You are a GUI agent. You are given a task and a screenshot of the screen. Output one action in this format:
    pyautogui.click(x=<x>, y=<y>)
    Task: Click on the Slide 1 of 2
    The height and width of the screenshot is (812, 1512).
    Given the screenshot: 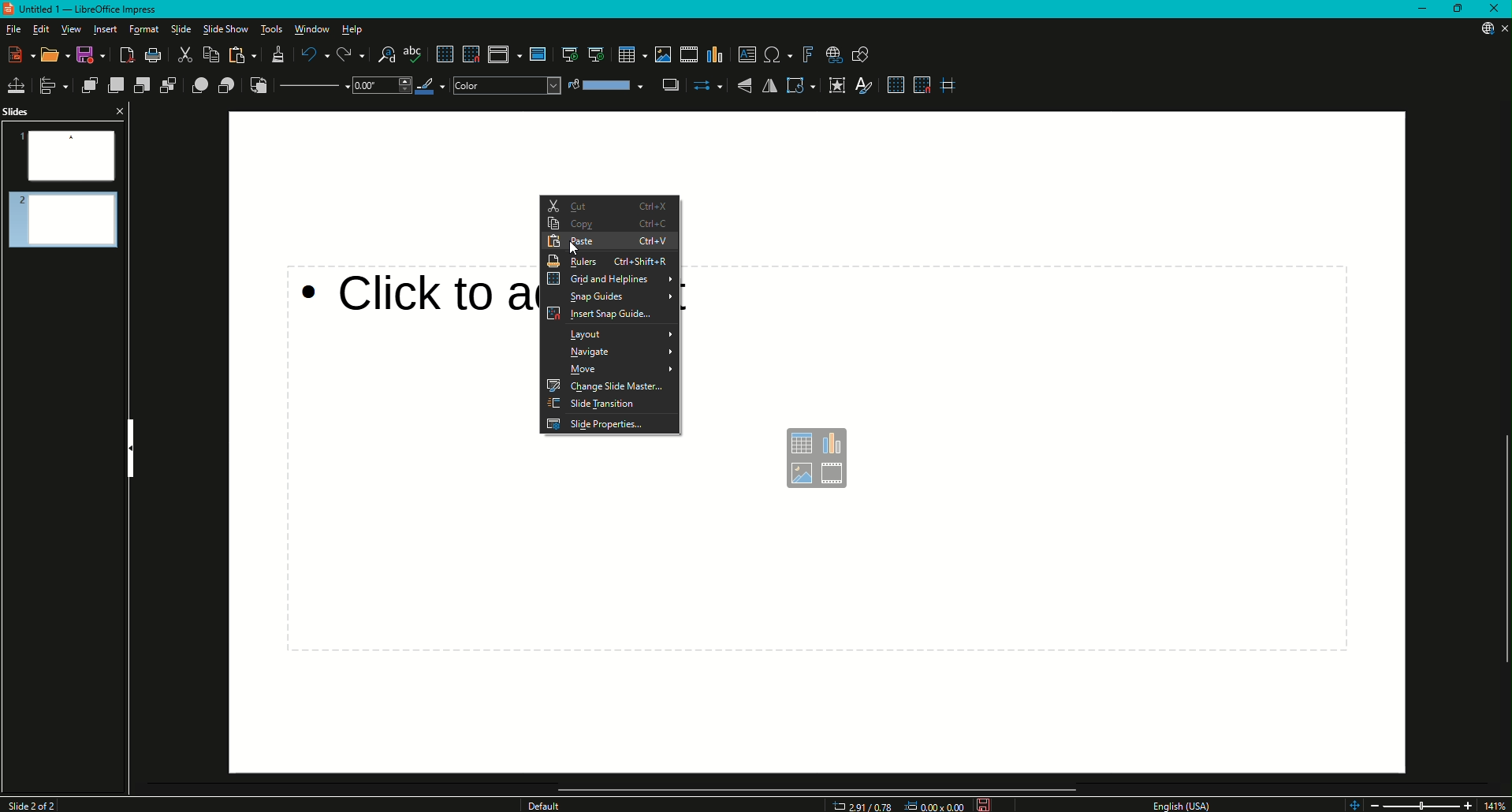 What is the action you would take?
    pyautogui.click(x=28, y=803)
    